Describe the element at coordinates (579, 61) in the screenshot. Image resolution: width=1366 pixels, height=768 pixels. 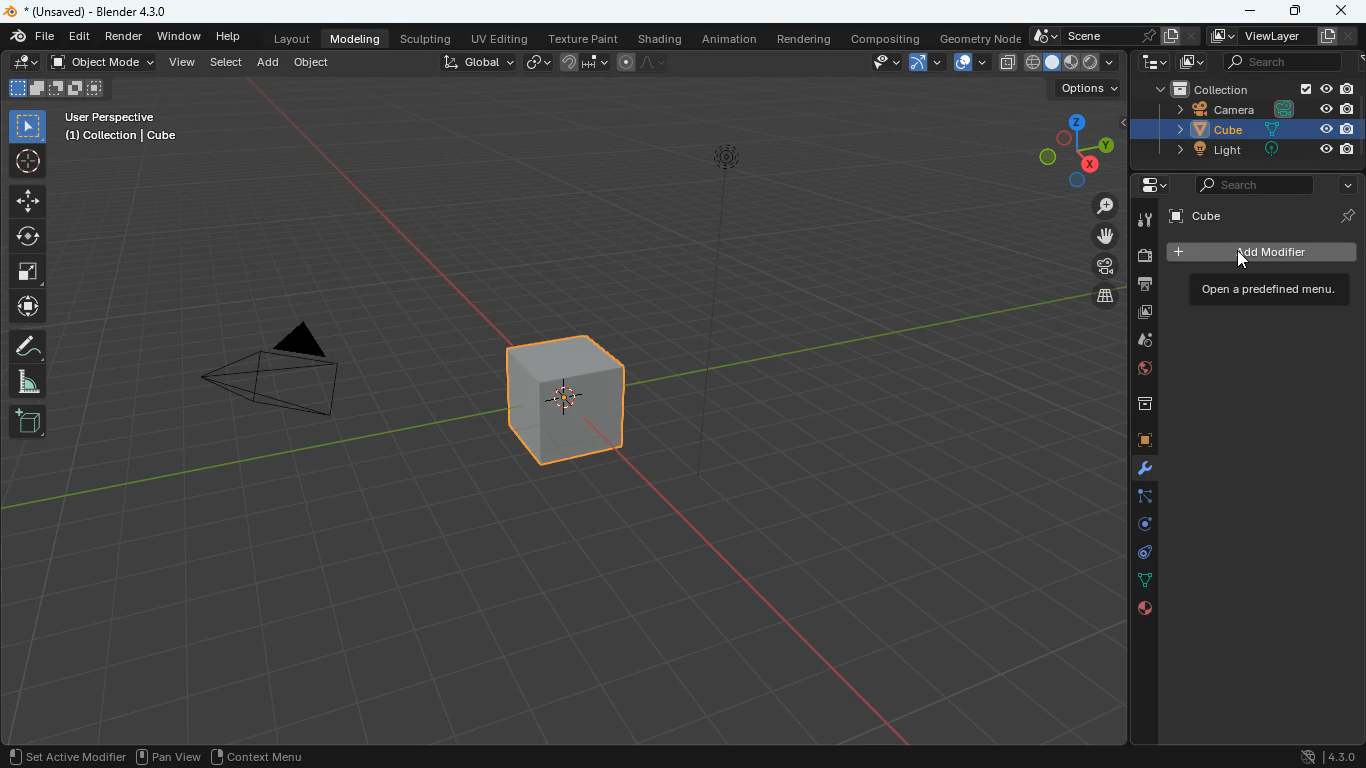
I see `join` at that location.